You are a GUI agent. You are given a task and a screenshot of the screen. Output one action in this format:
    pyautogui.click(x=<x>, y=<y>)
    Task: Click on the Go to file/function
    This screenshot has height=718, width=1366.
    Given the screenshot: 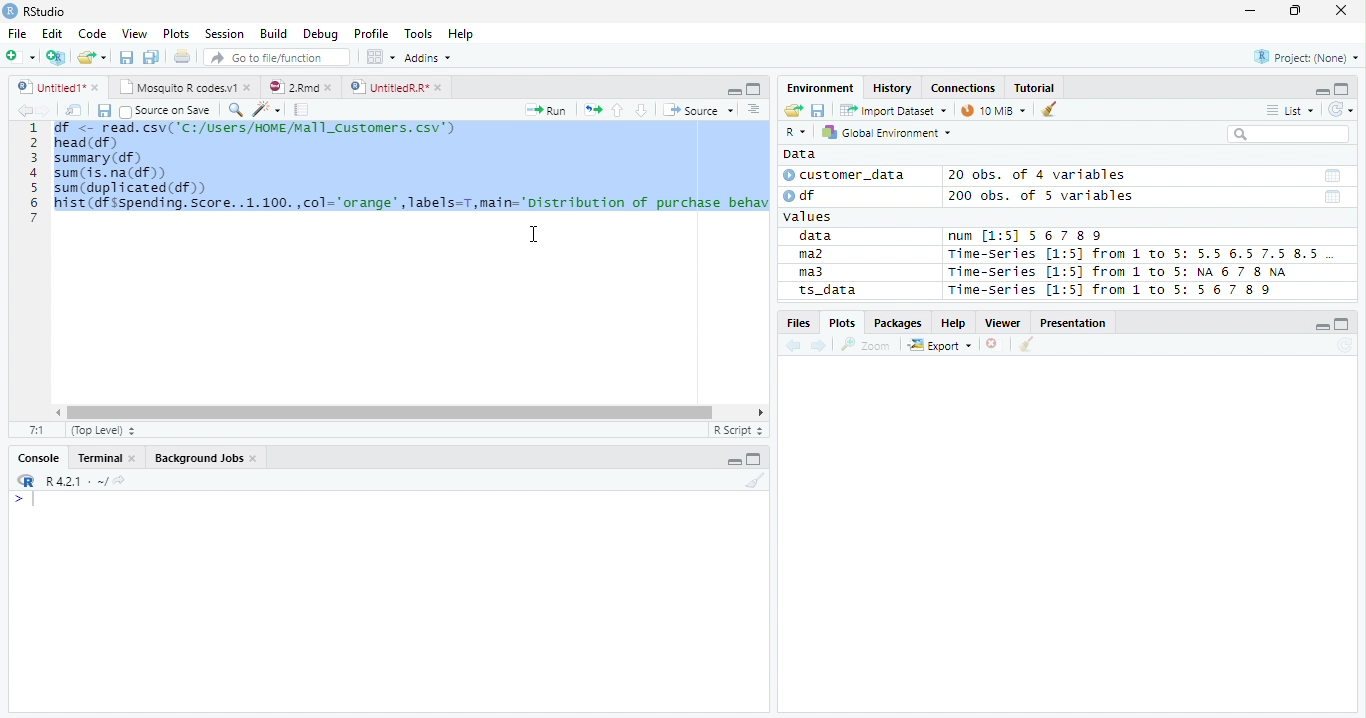 What is the action you would take?
    pyautogui.click(x=274, y=58)
    